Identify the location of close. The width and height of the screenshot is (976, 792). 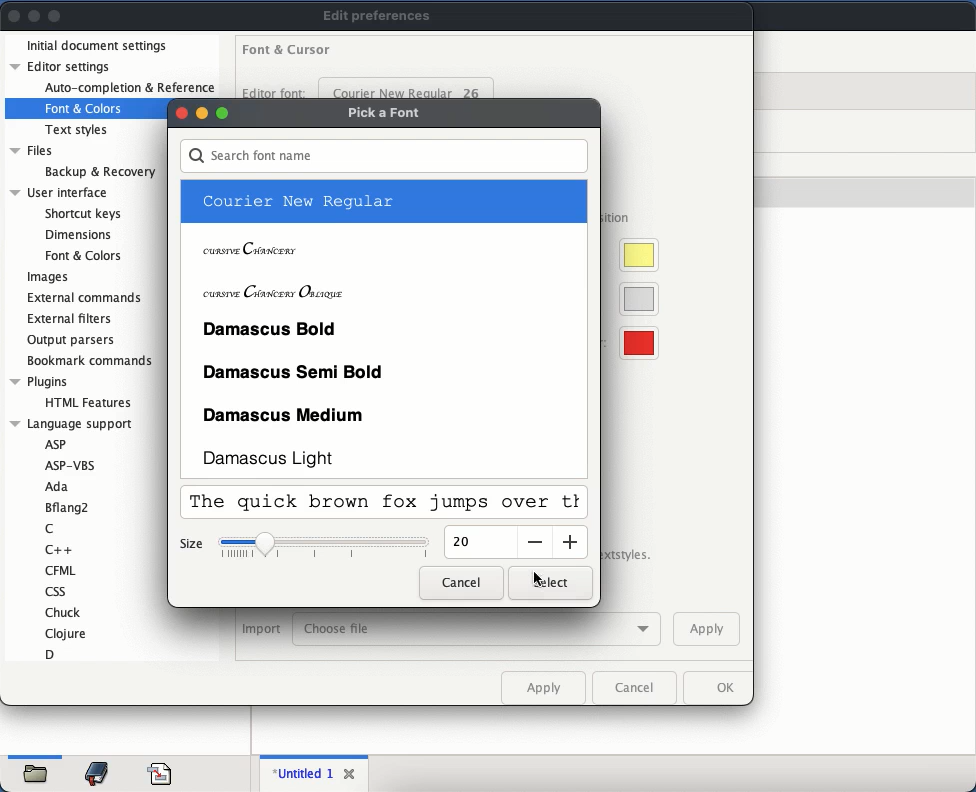
(15, 17).